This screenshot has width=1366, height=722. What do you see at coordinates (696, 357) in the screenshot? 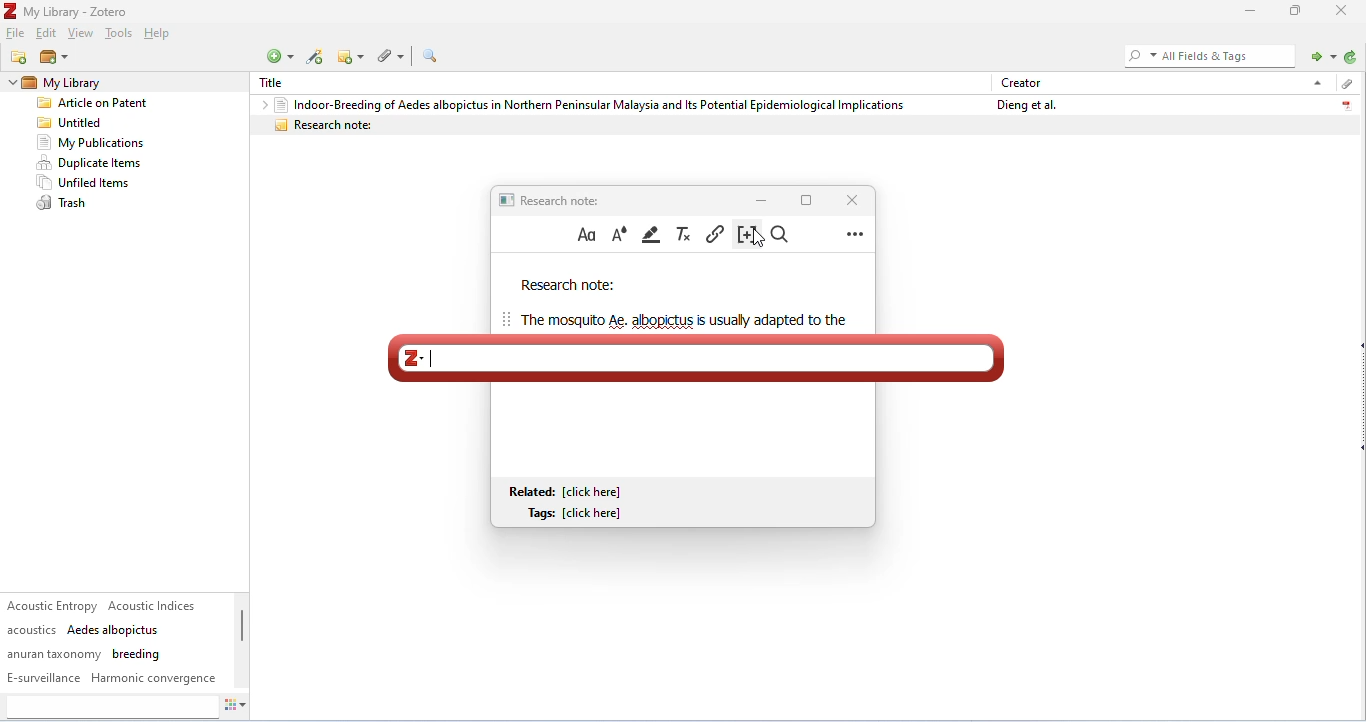
I see `typing intext citation` at bounding box center [696, 357].